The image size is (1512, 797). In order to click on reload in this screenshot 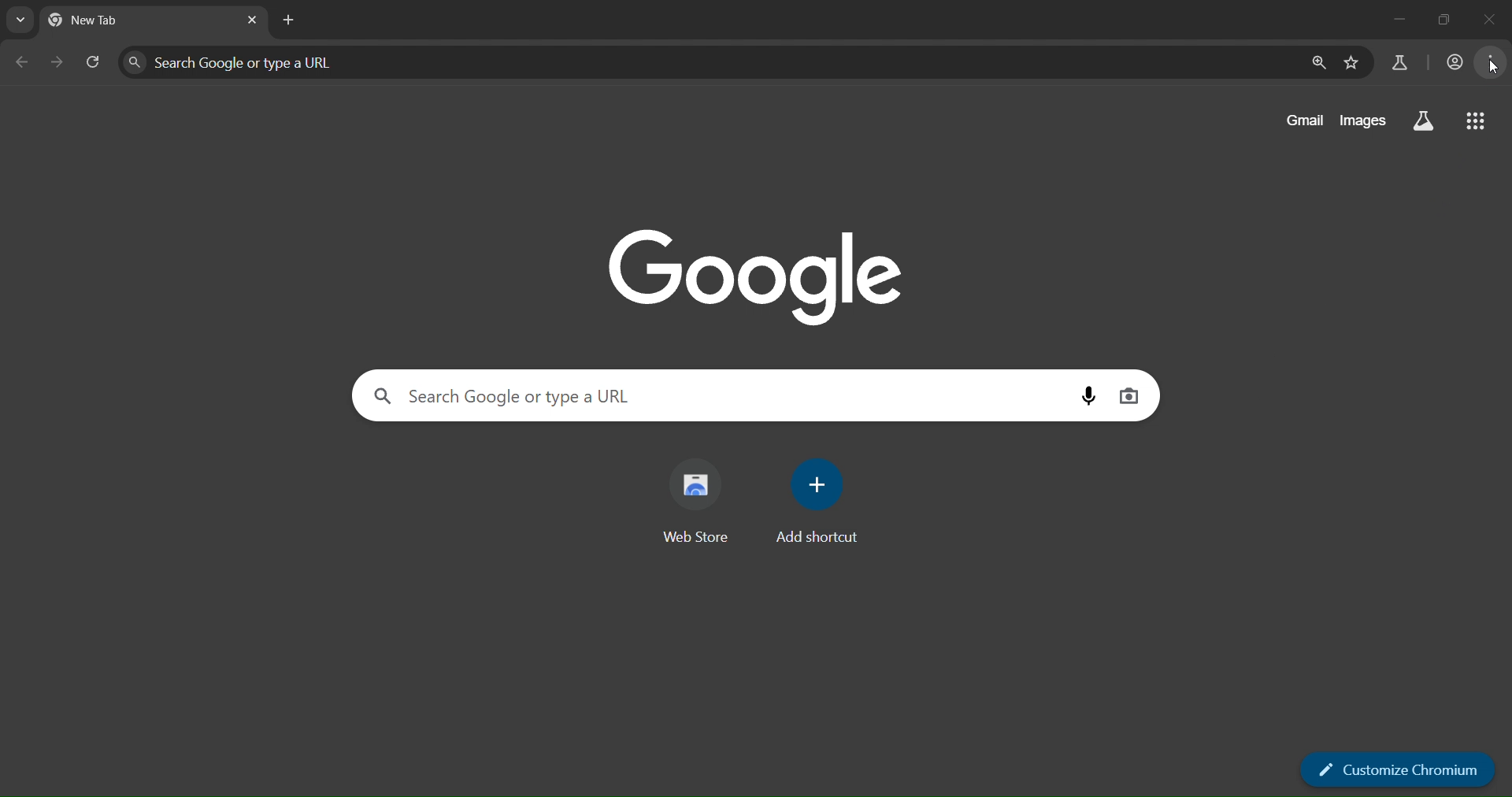, I will do `click(98, 61)`.